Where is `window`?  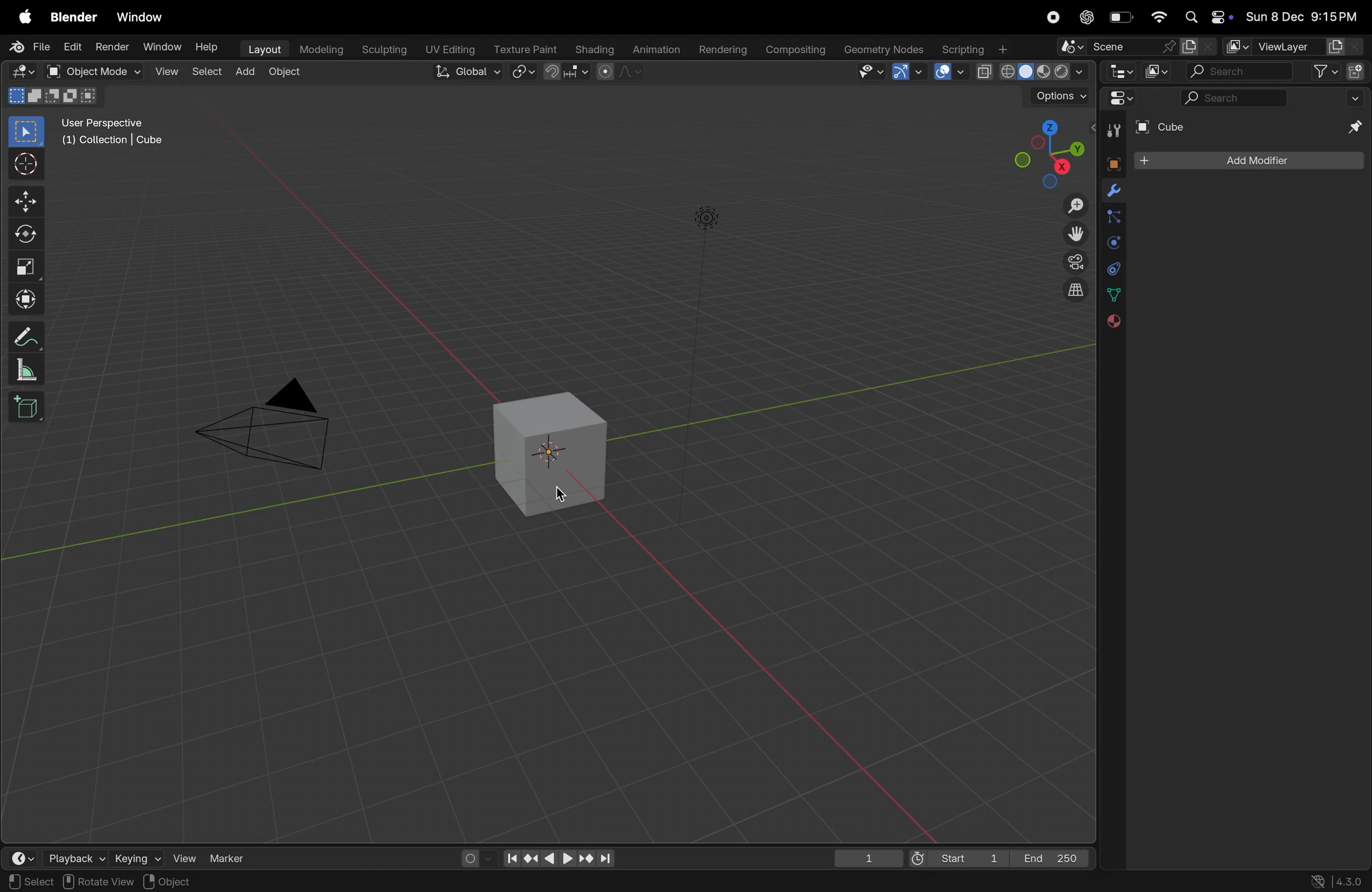 window is located at coordinates (161, 47).